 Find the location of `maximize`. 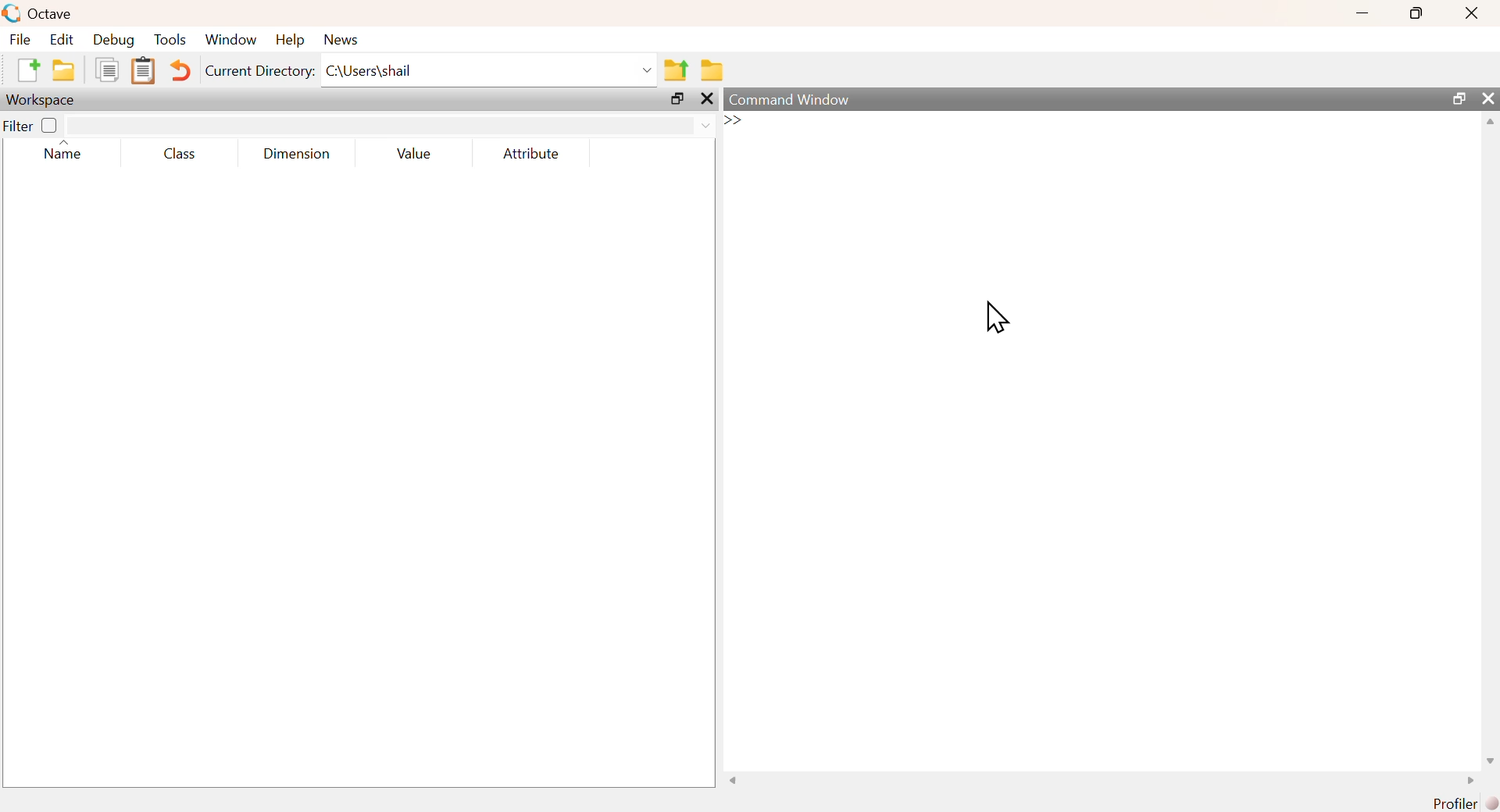

maximize is located at coordinates (1417, 12).